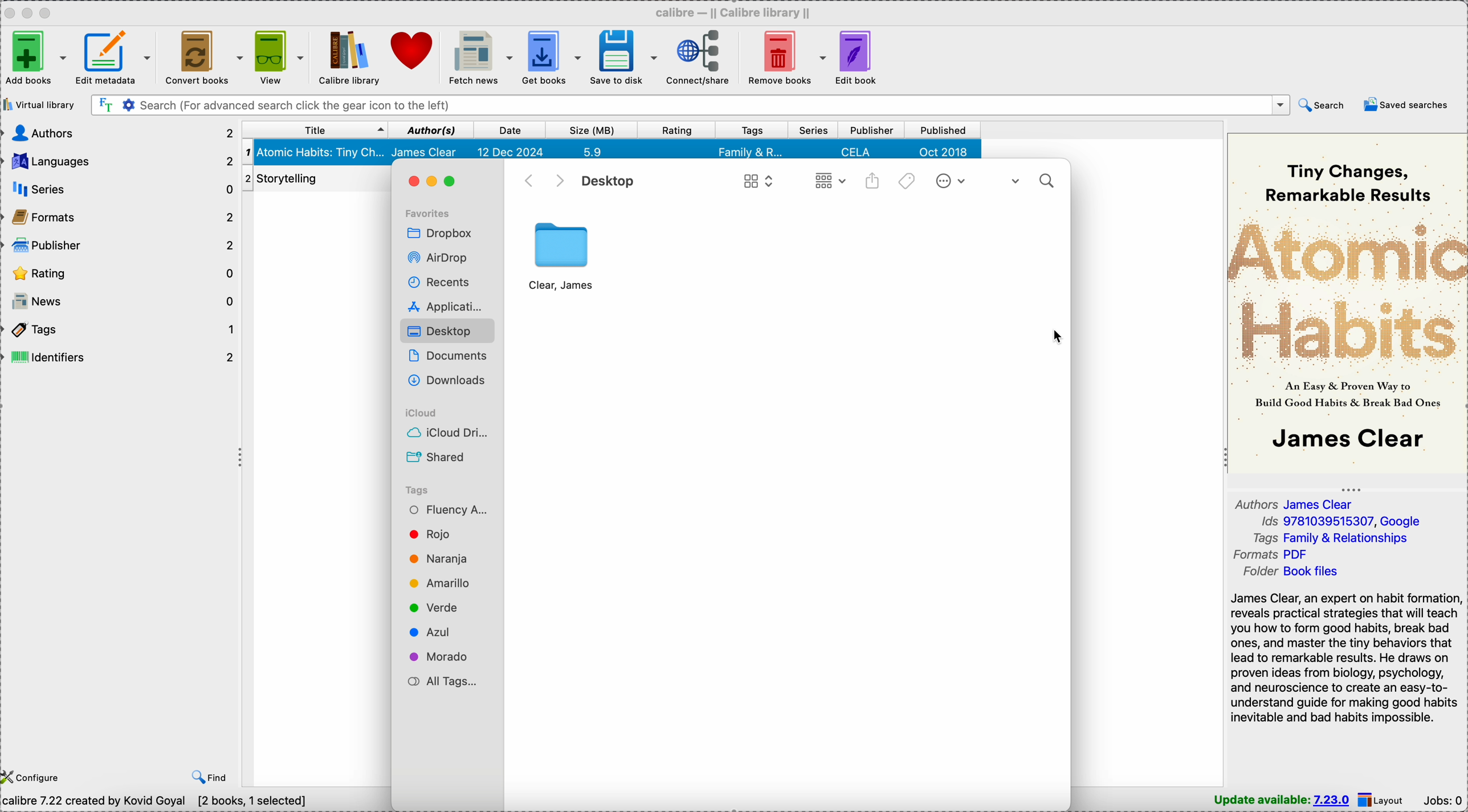 The width and height of the screenshot is (1468, 812). I want to click on recents, so click(441, 281).